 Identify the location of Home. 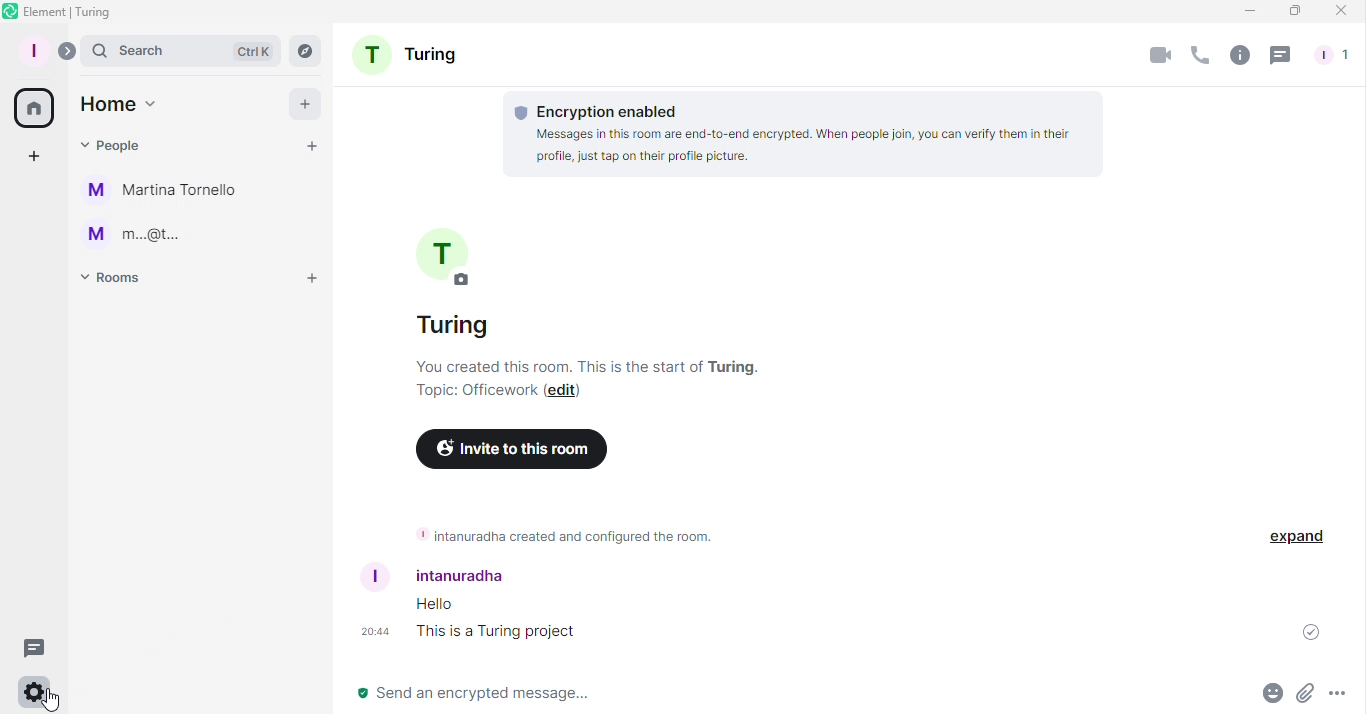
(37, 105).